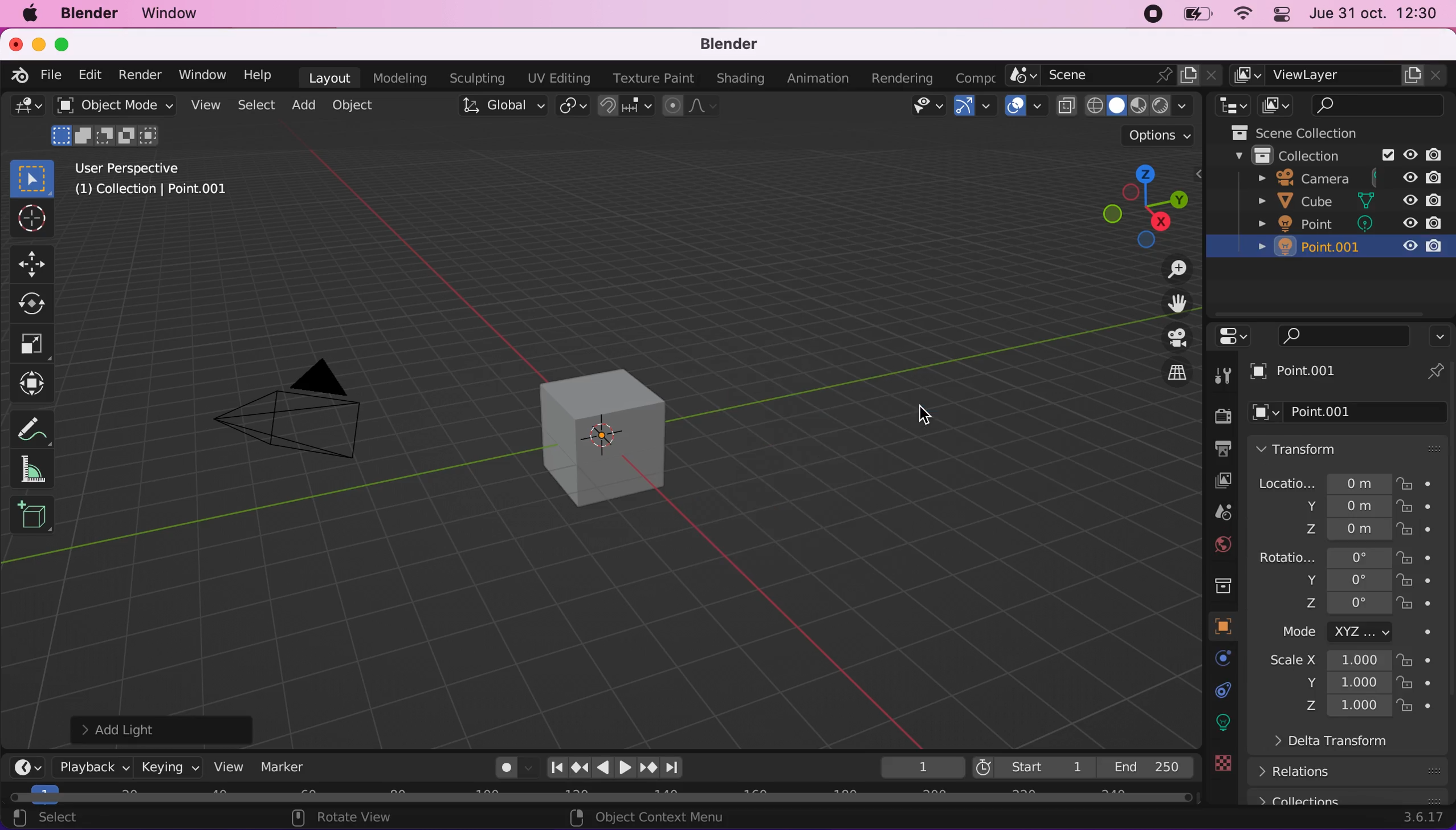 Image resolution: width=1456 pixels, height=830 pixels. I want to click on y 0m, so click(1332, 508).